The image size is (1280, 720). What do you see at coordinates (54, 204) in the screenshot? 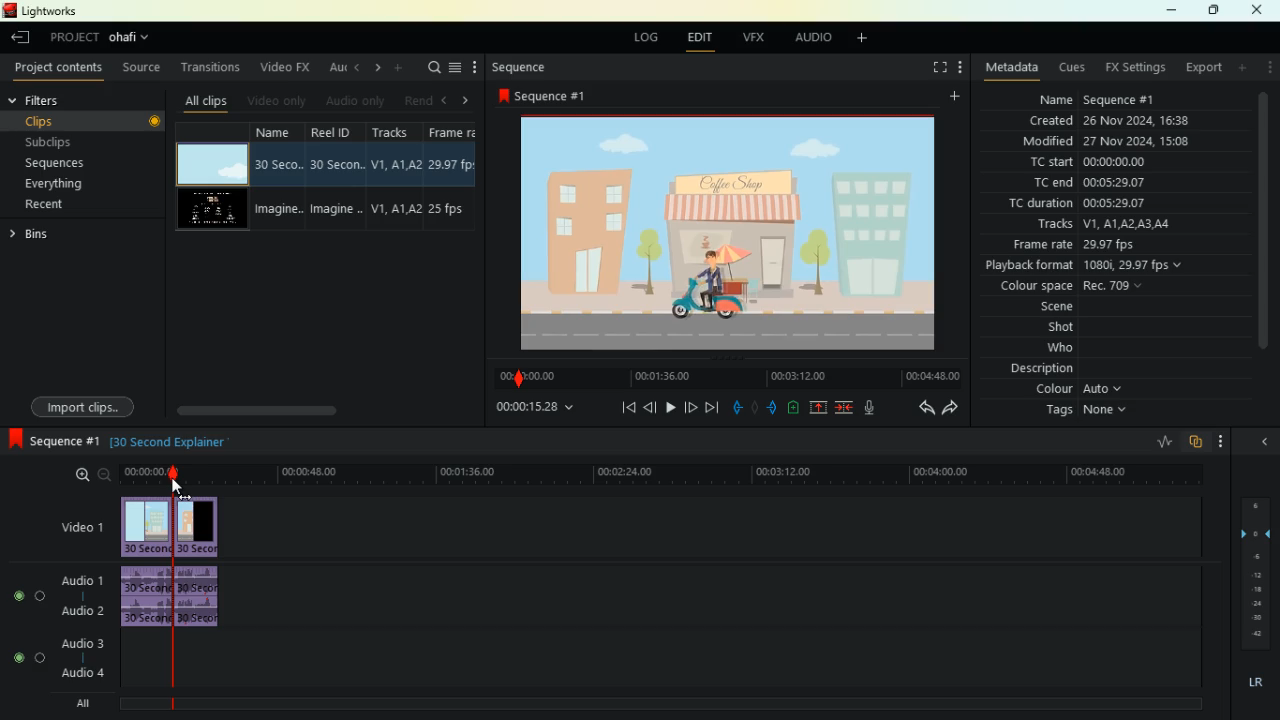
I see `recent` at bounding box center [54, 204].